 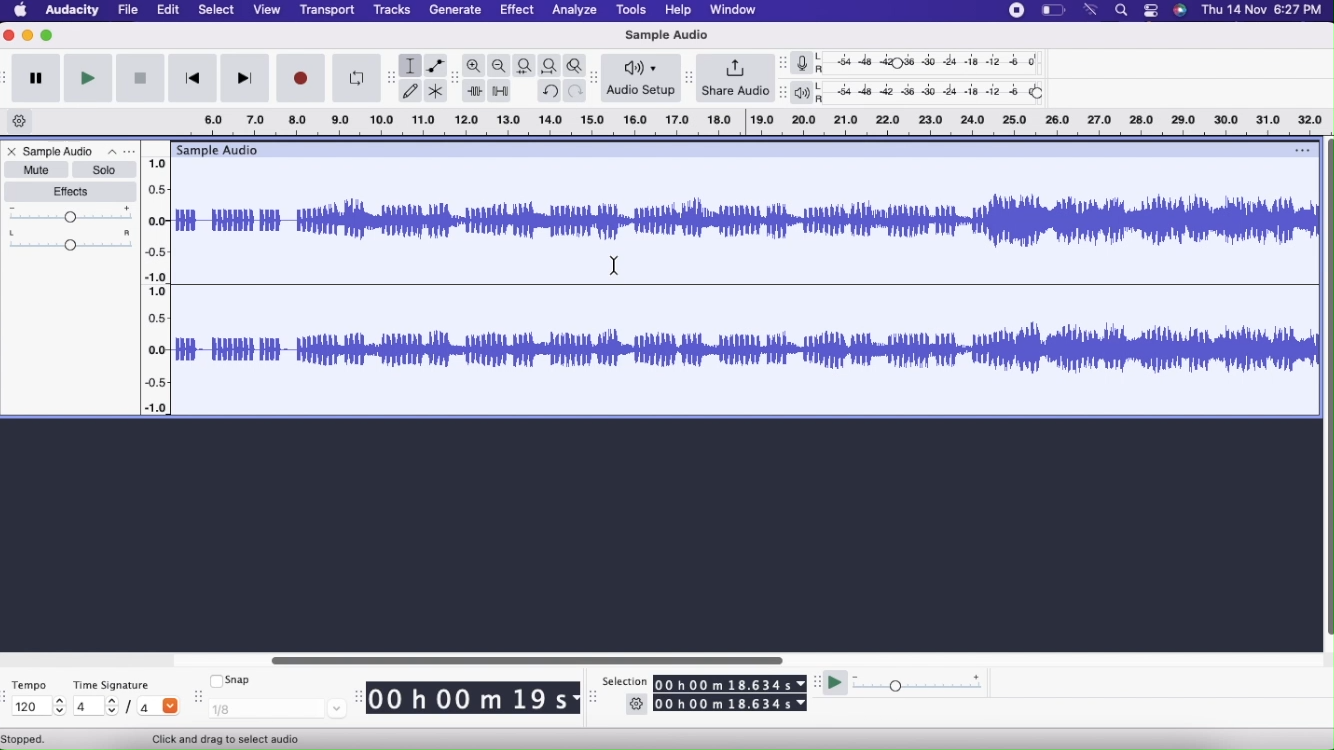 I want to click on Stop, so click(x=140, y=79).